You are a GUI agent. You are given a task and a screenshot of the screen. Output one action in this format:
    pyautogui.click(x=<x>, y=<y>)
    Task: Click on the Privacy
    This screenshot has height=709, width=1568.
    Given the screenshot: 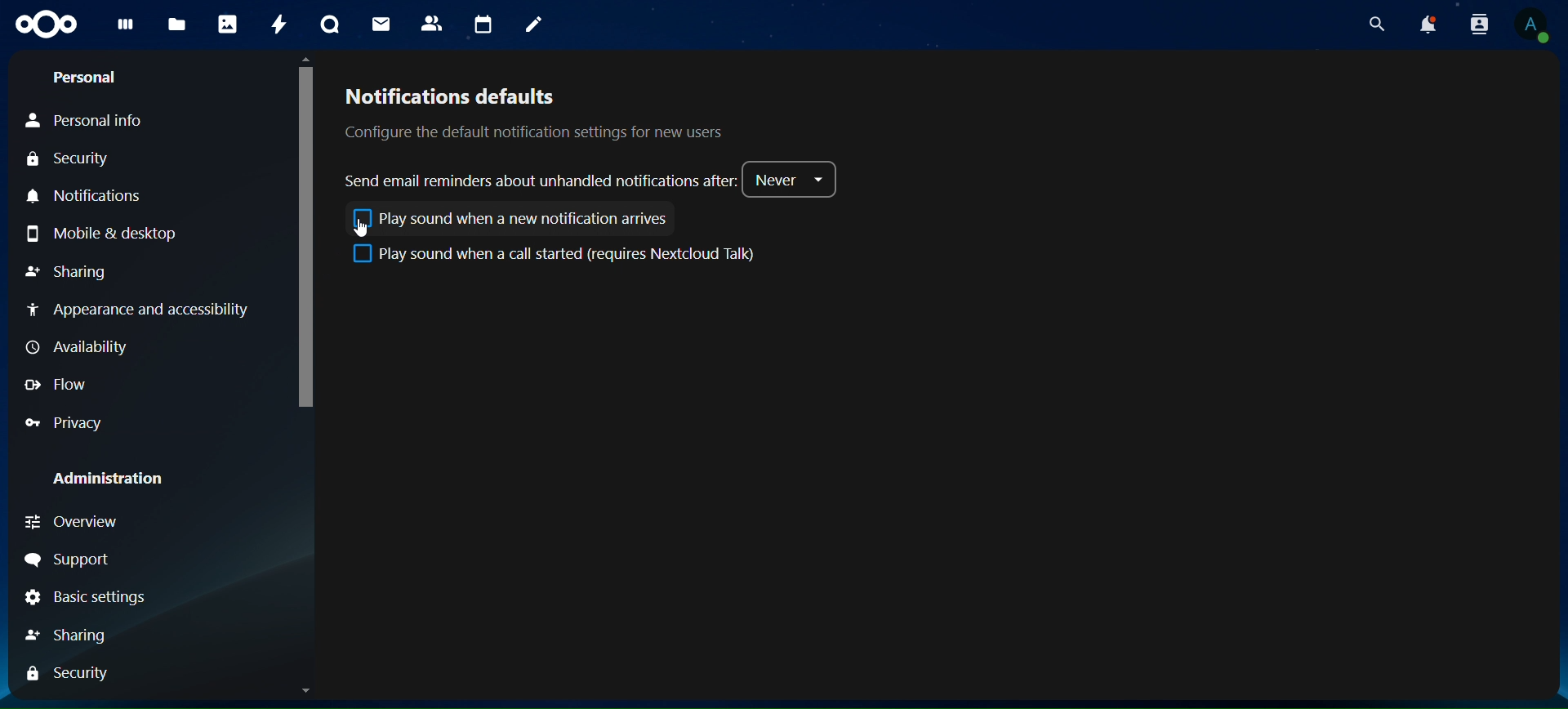 What is the action you would take?
    pyautogui.click(x=67, y=424)
    